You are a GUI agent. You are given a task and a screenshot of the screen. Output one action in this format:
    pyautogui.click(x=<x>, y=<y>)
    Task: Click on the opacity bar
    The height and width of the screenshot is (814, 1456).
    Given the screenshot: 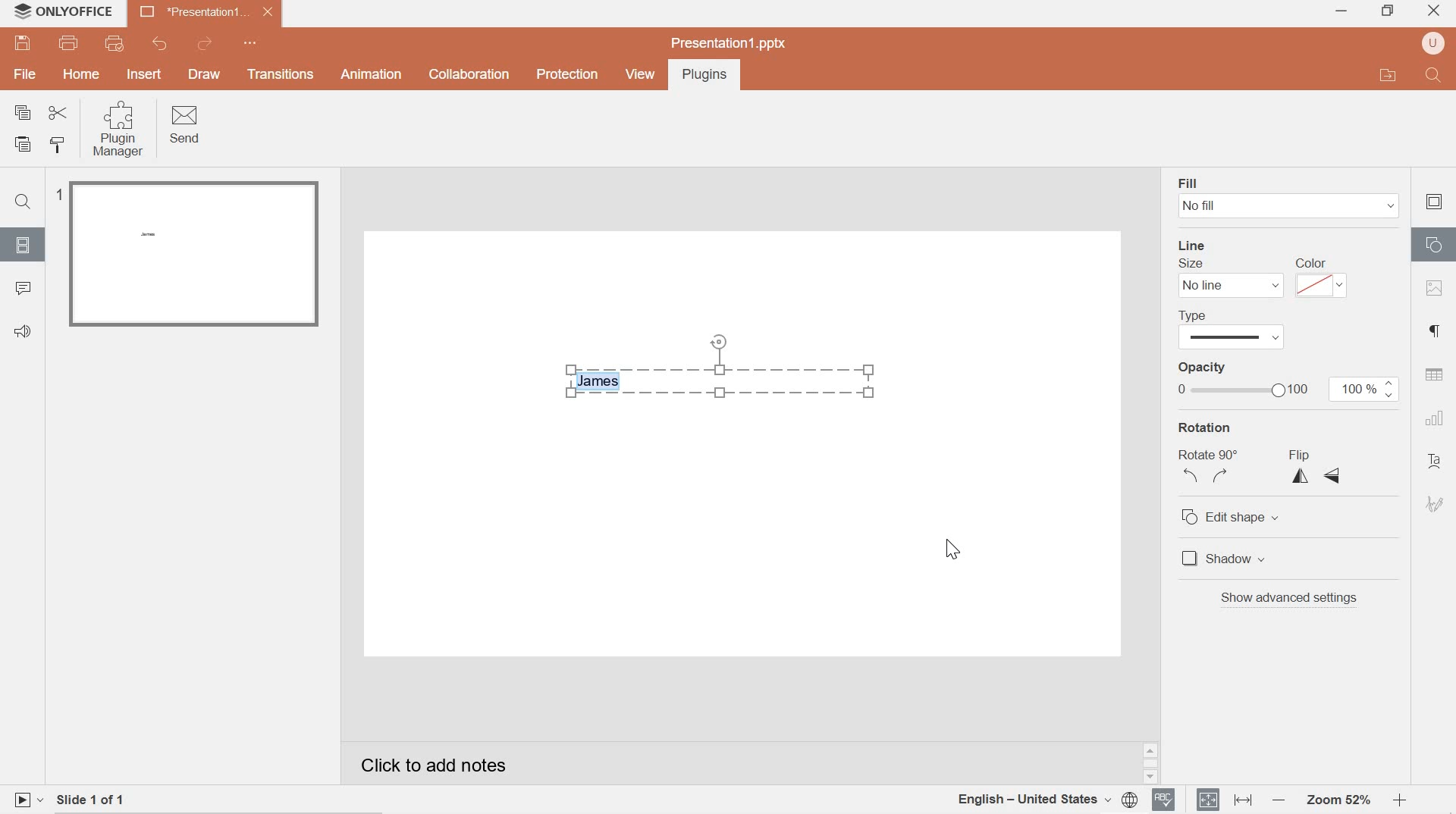 What is the action you would take?
    pyautogui.click(x=1240, y=391)
    